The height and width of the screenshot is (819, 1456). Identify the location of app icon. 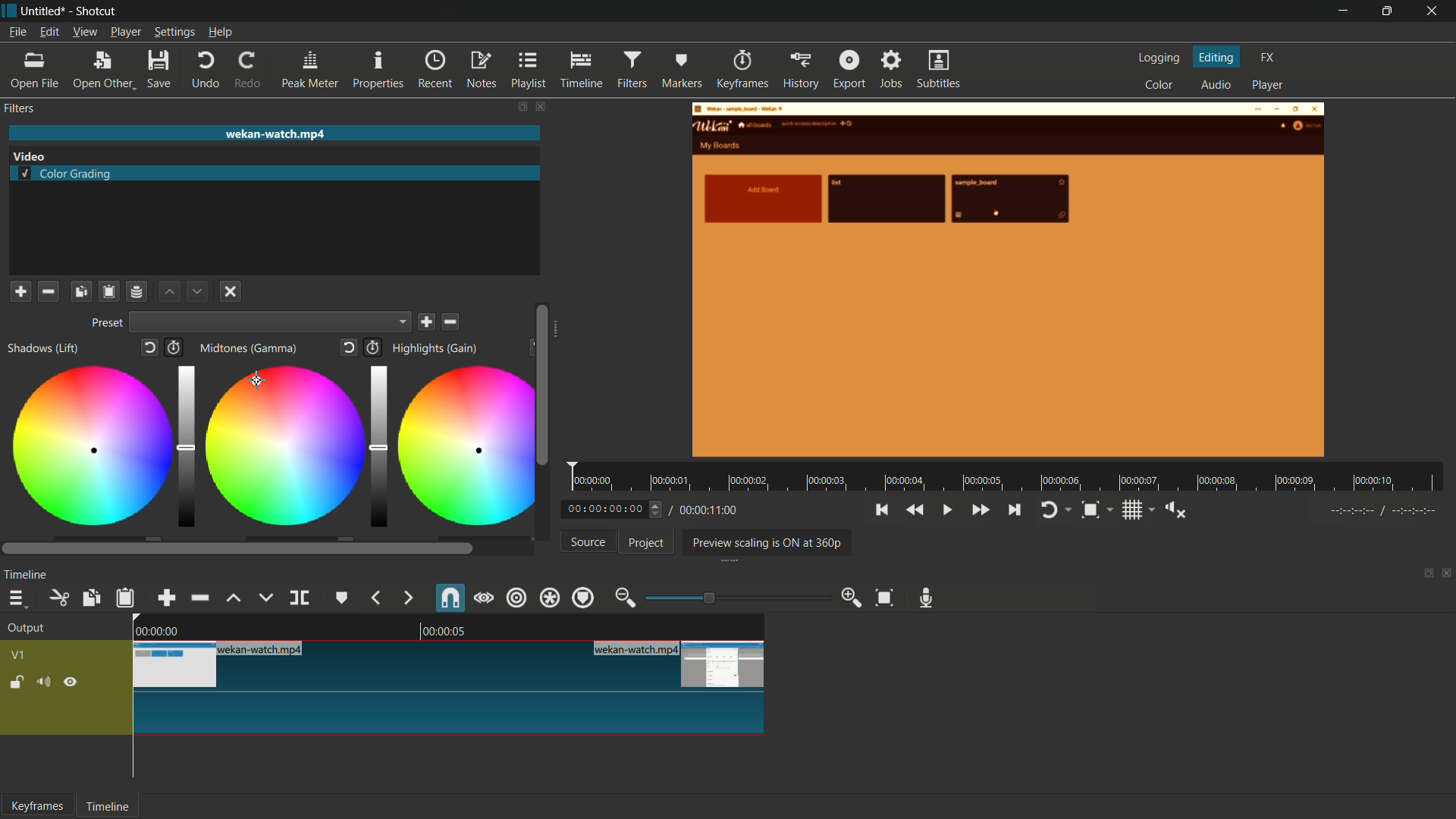
(9, 11).